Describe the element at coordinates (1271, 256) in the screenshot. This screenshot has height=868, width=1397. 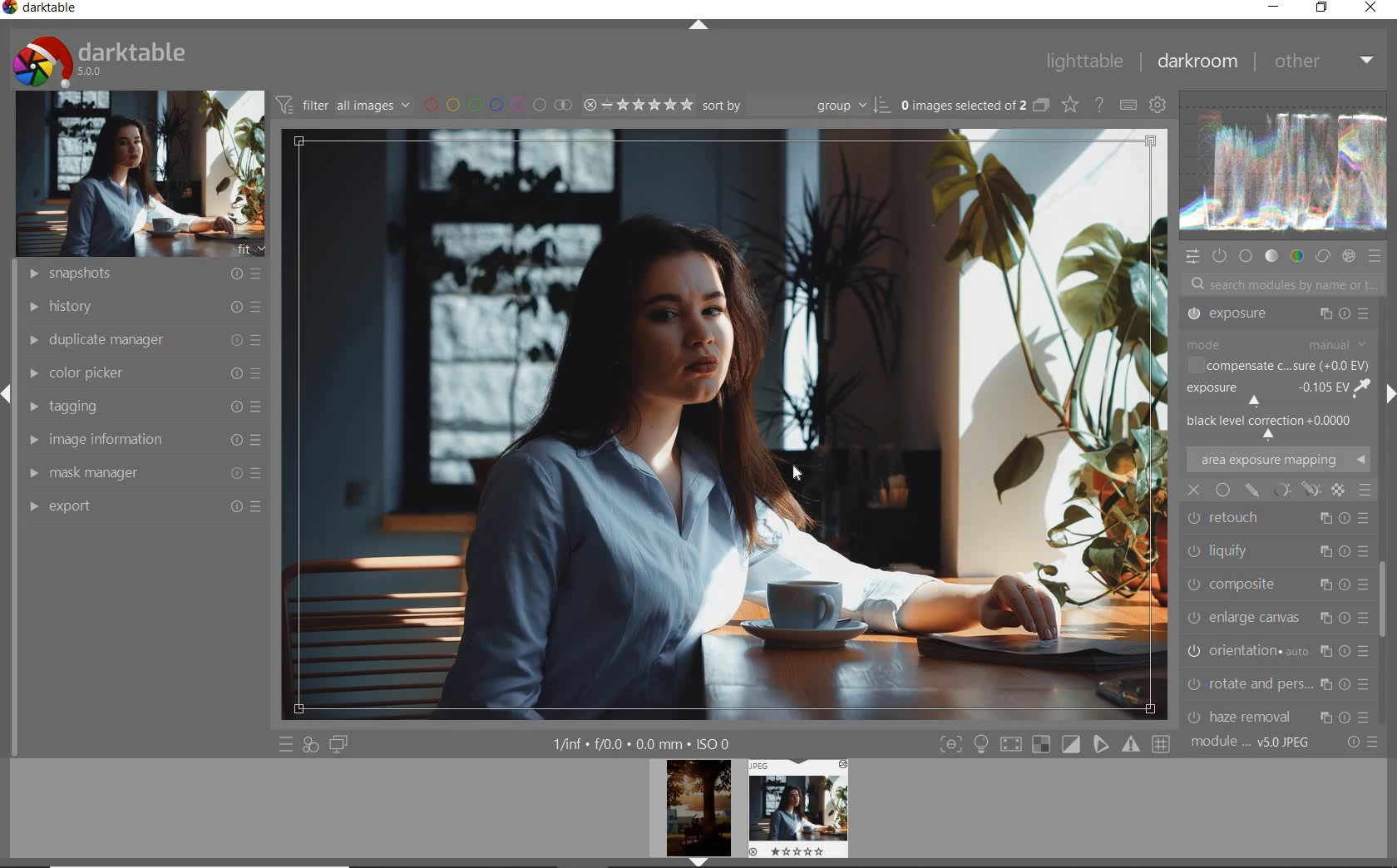
I see `TONE` at that location.